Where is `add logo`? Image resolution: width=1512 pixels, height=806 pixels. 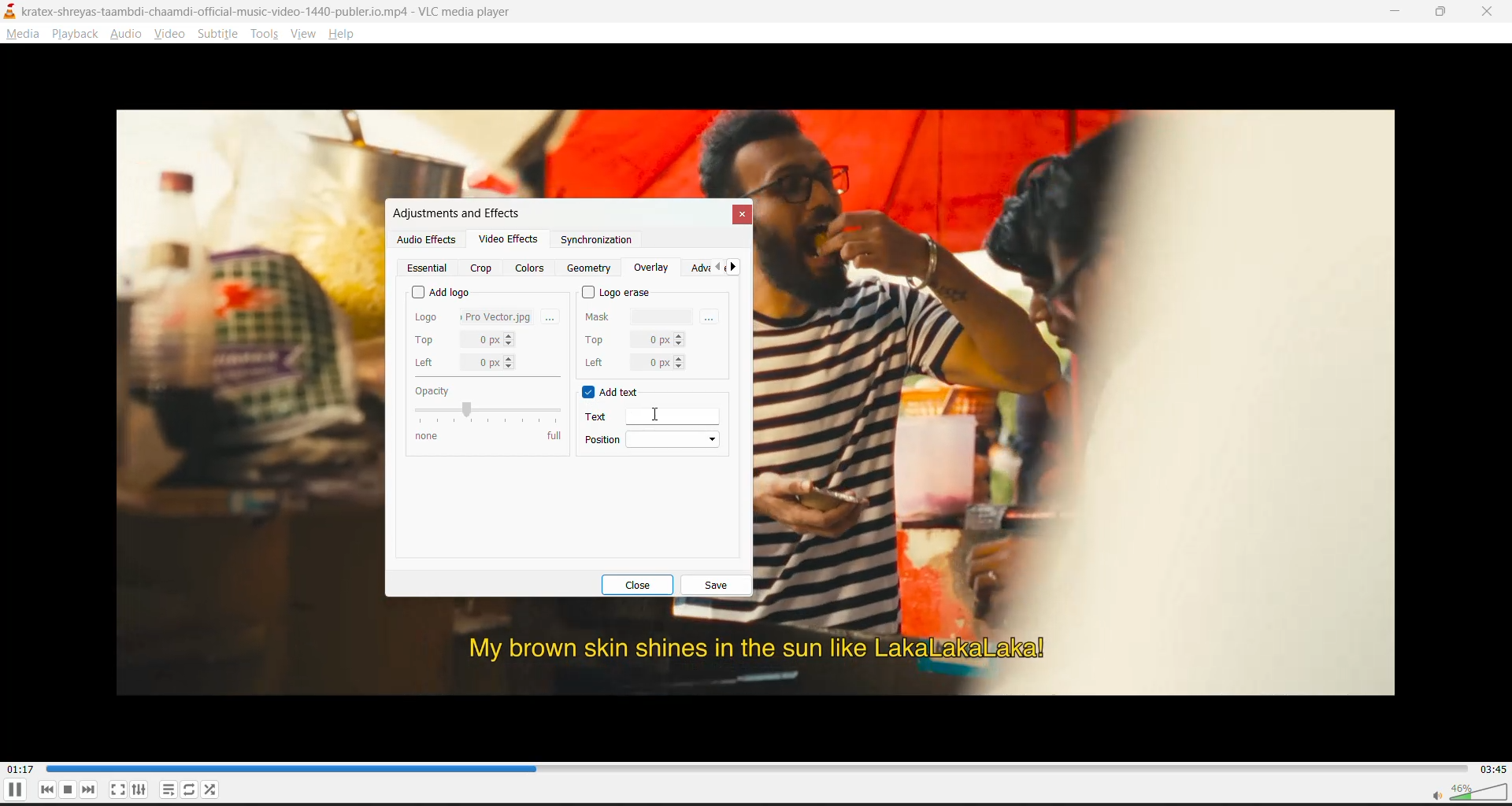 add logo is located at coordinates (441, 290).